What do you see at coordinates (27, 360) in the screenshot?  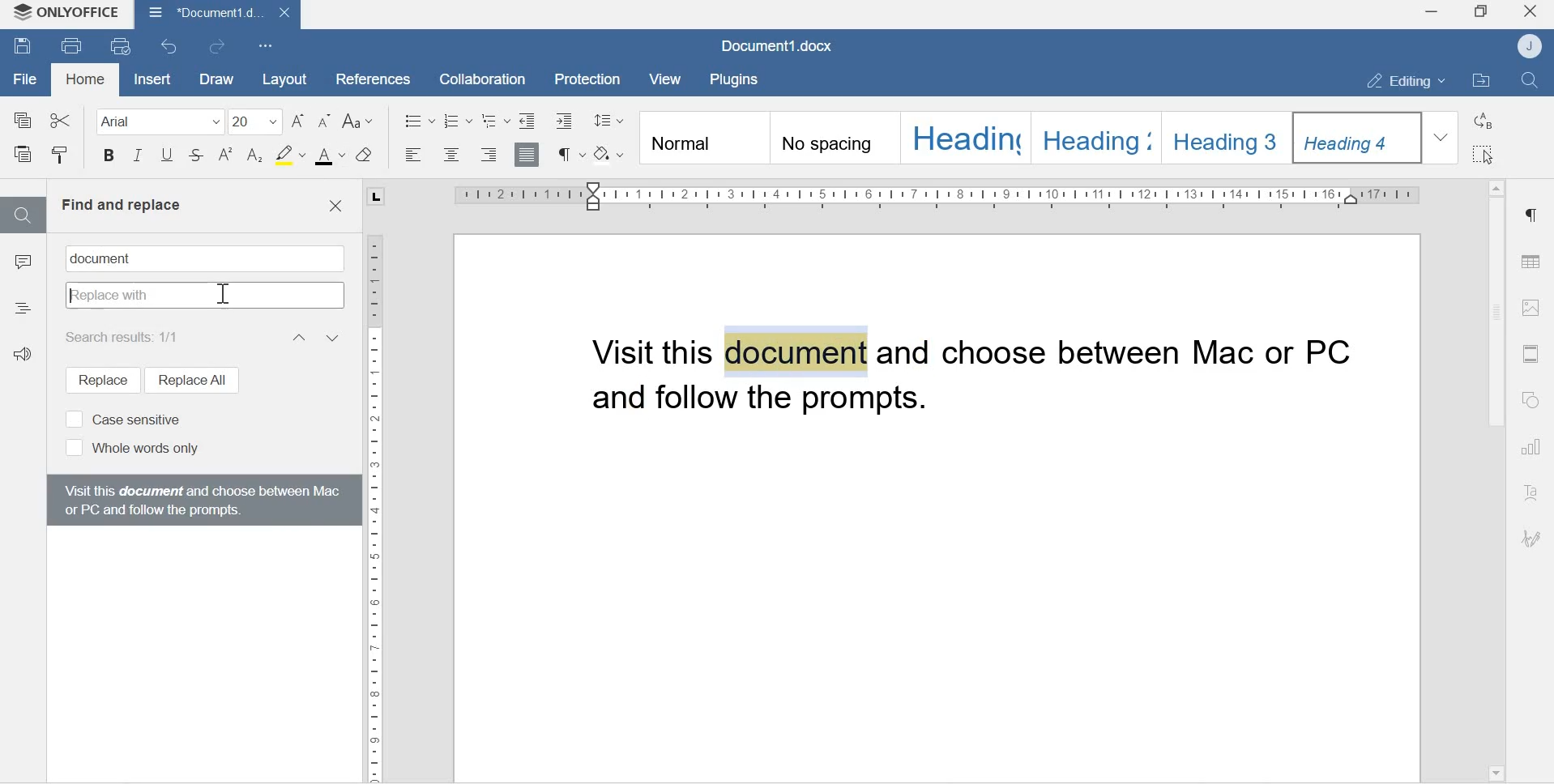 I see `Feedback & Support` at bounding box center [27, 360].